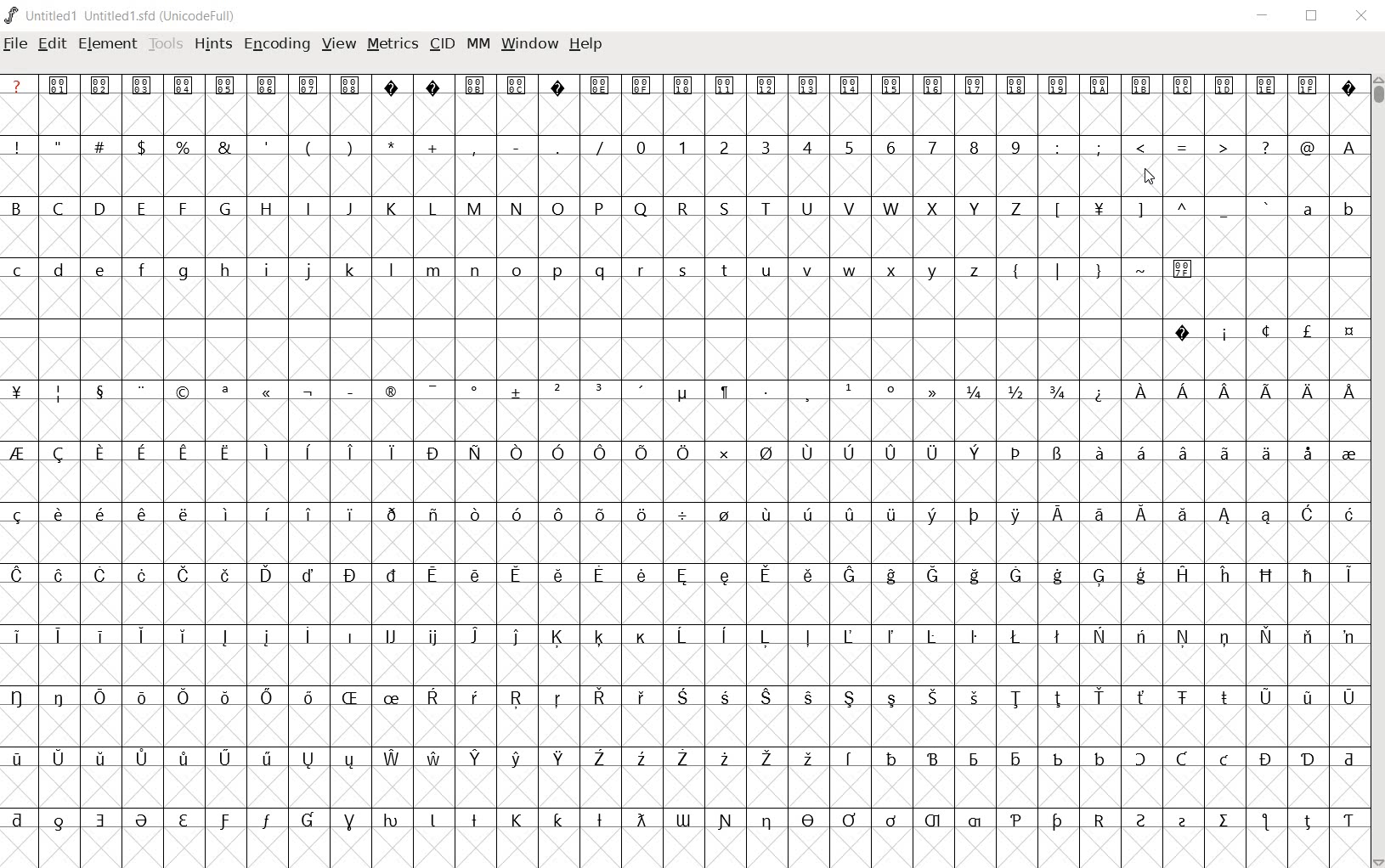 This screenshot has height=868, width=1385. I want to click on special letters, so click(689, 757).